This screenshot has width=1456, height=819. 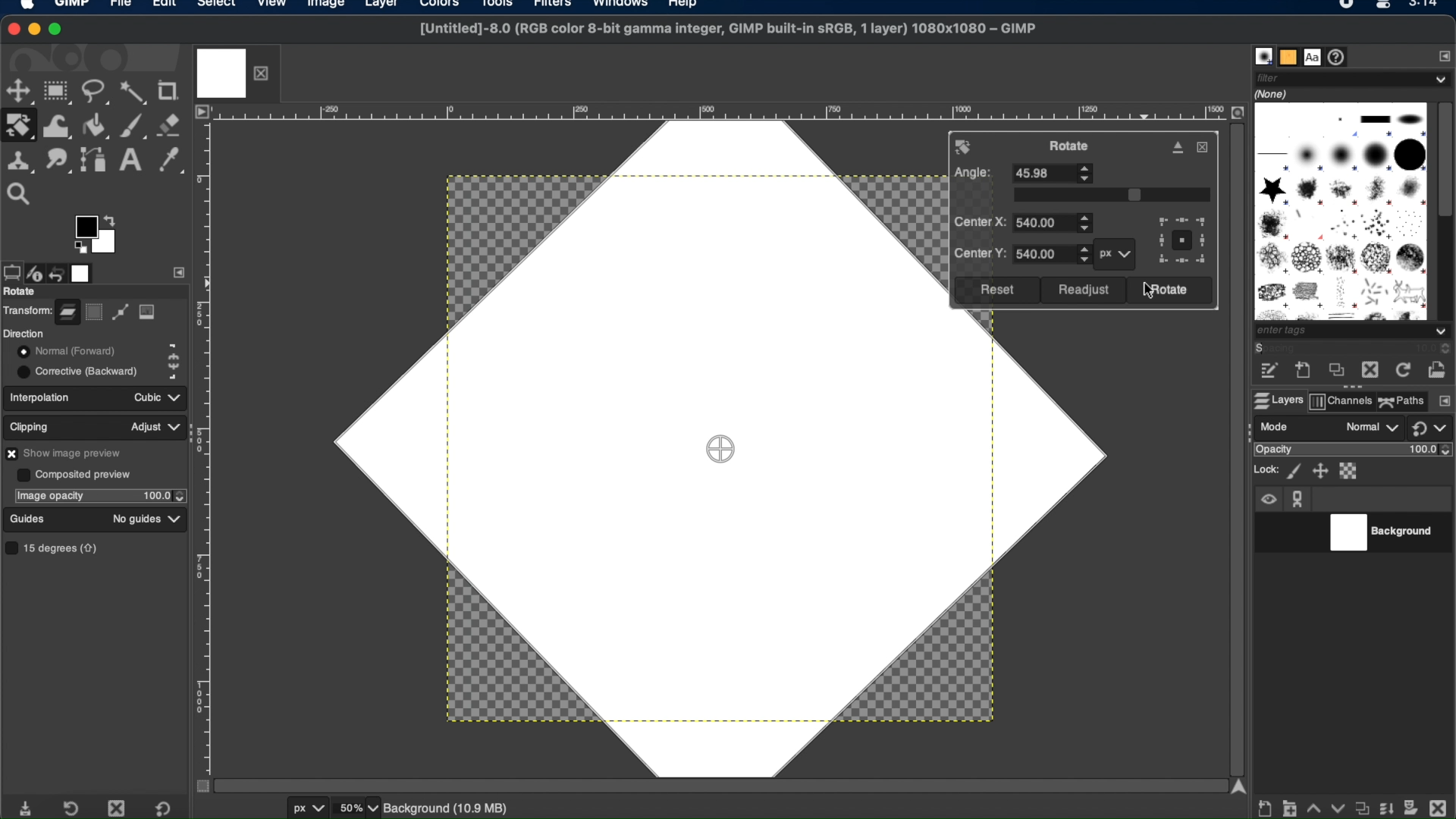 What do you see at coordinates (28, 807) in the screenshot?
I see `save tool preset` at bounding box center [28, 807].